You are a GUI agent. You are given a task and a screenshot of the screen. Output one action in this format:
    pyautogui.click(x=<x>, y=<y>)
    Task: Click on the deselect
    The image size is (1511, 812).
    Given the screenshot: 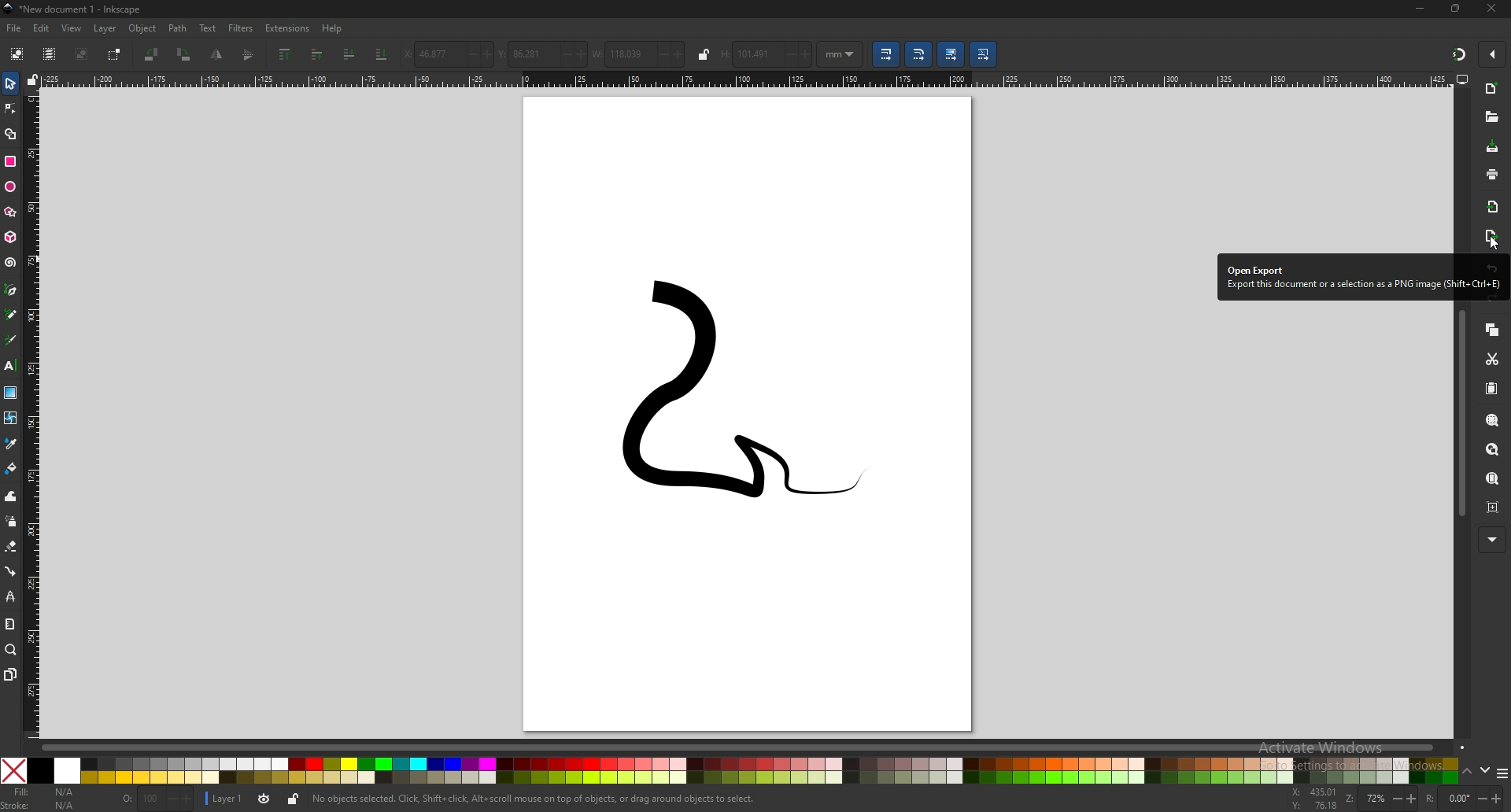 What is the action you would take?
    pyautogui.click(x=83, y=54)
    